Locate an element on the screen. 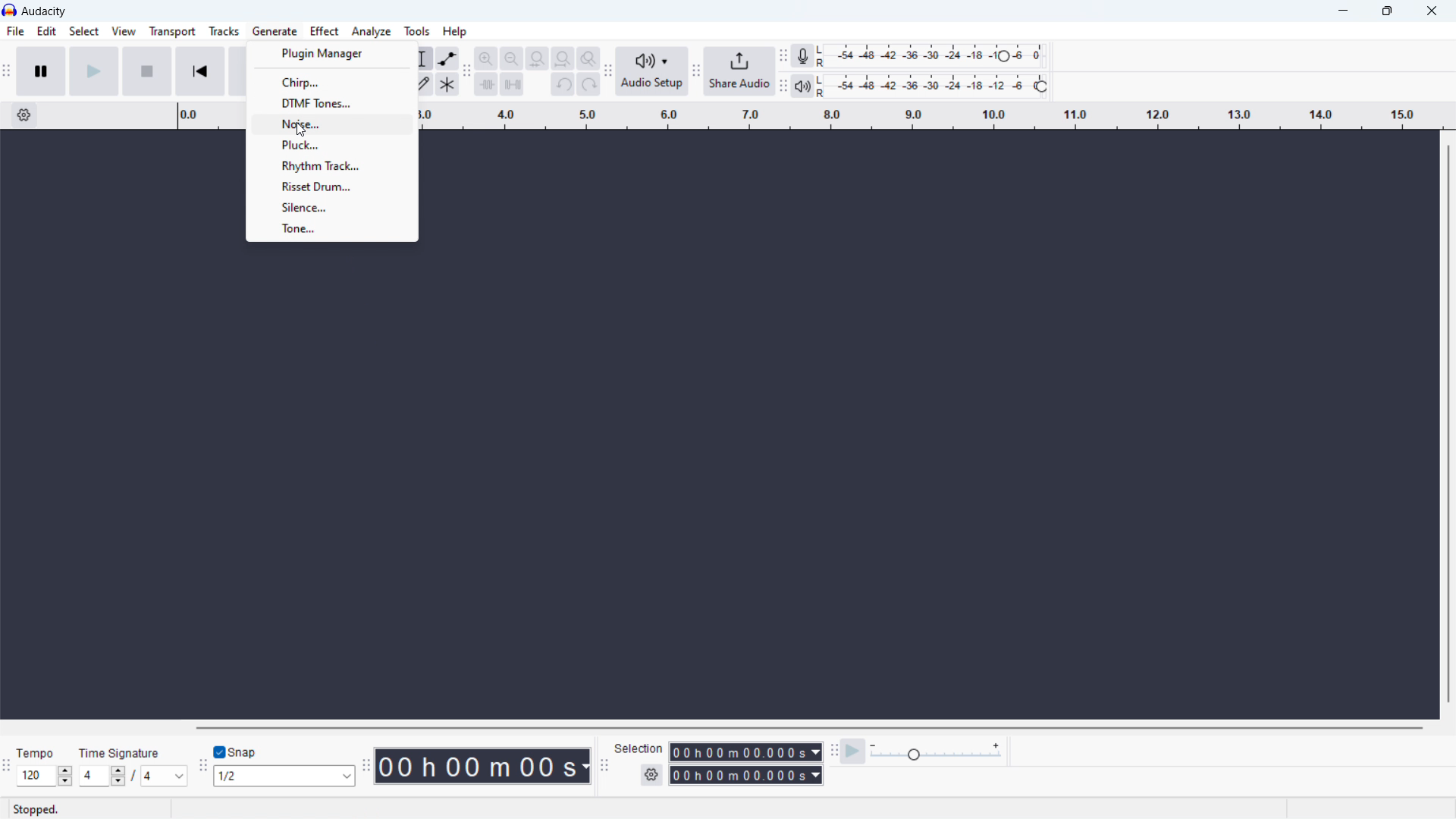 Image resolution: width=1456 pixels, height=819 pixels. audio setup toolbar is located at coordinates (608, 71).